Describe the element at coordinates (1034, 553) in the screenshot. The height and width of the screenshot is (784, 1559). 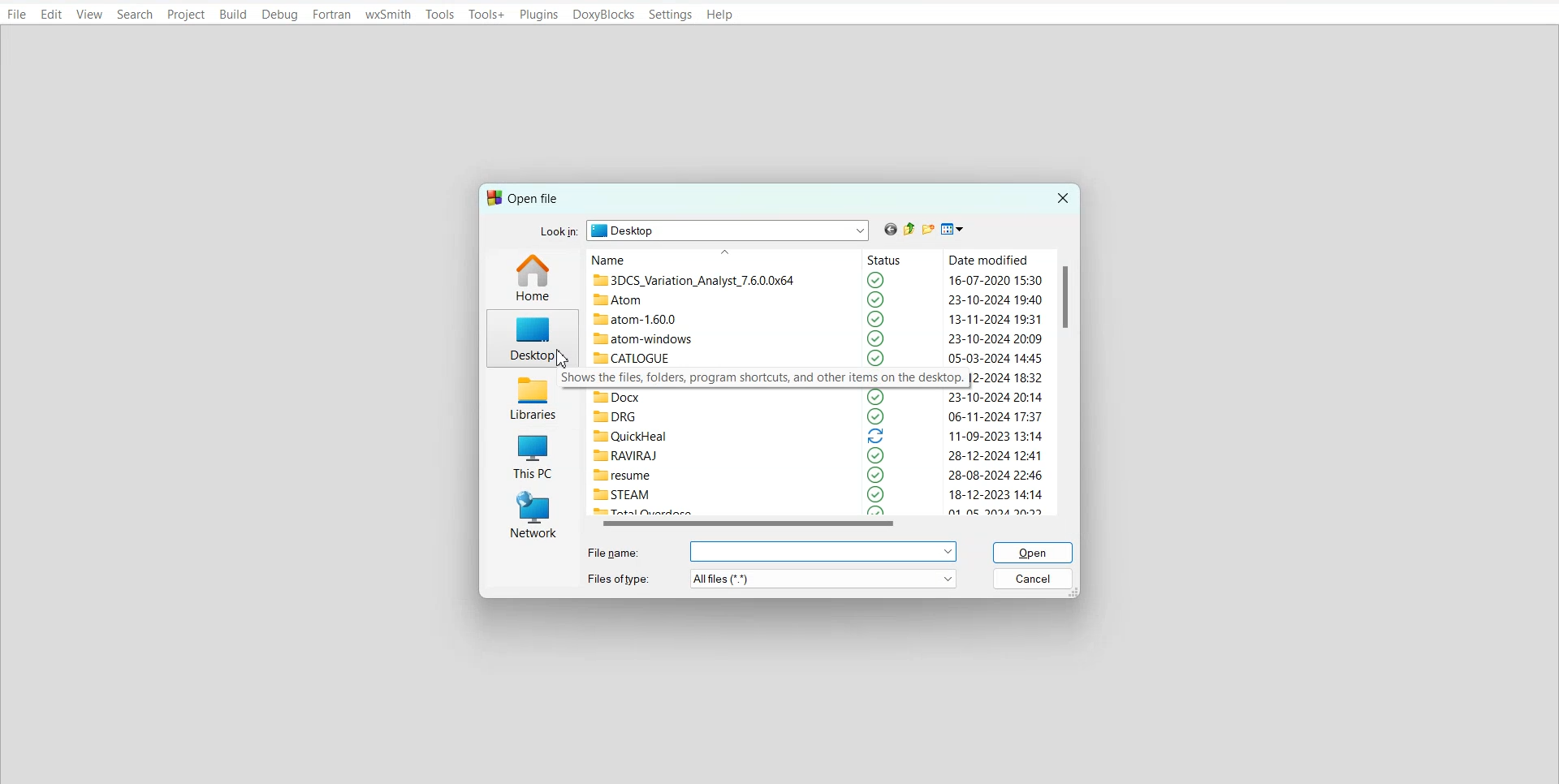
I see `Open ` at that location.